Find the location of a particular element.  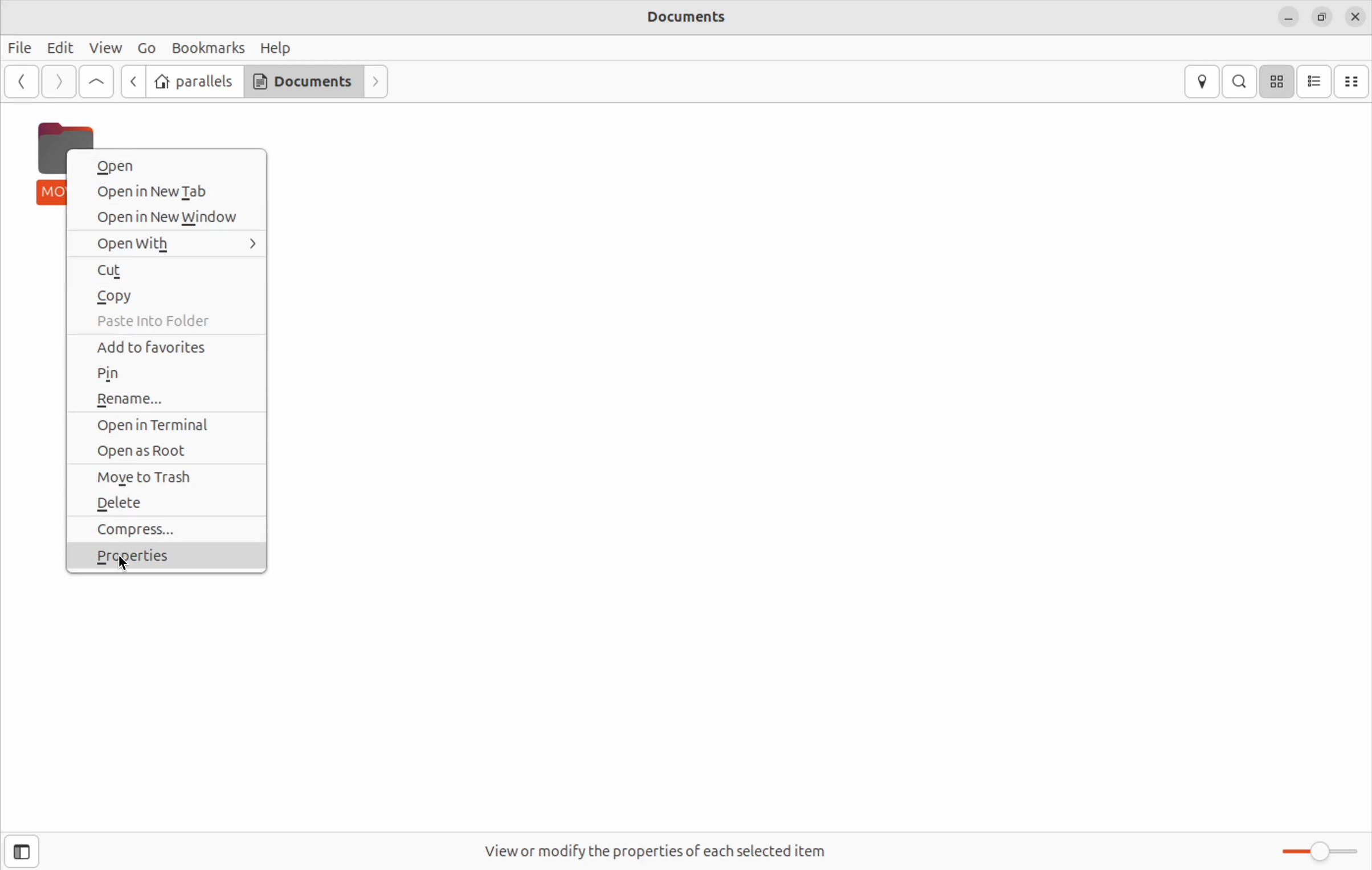

location is located at coordinates (1203, 81).